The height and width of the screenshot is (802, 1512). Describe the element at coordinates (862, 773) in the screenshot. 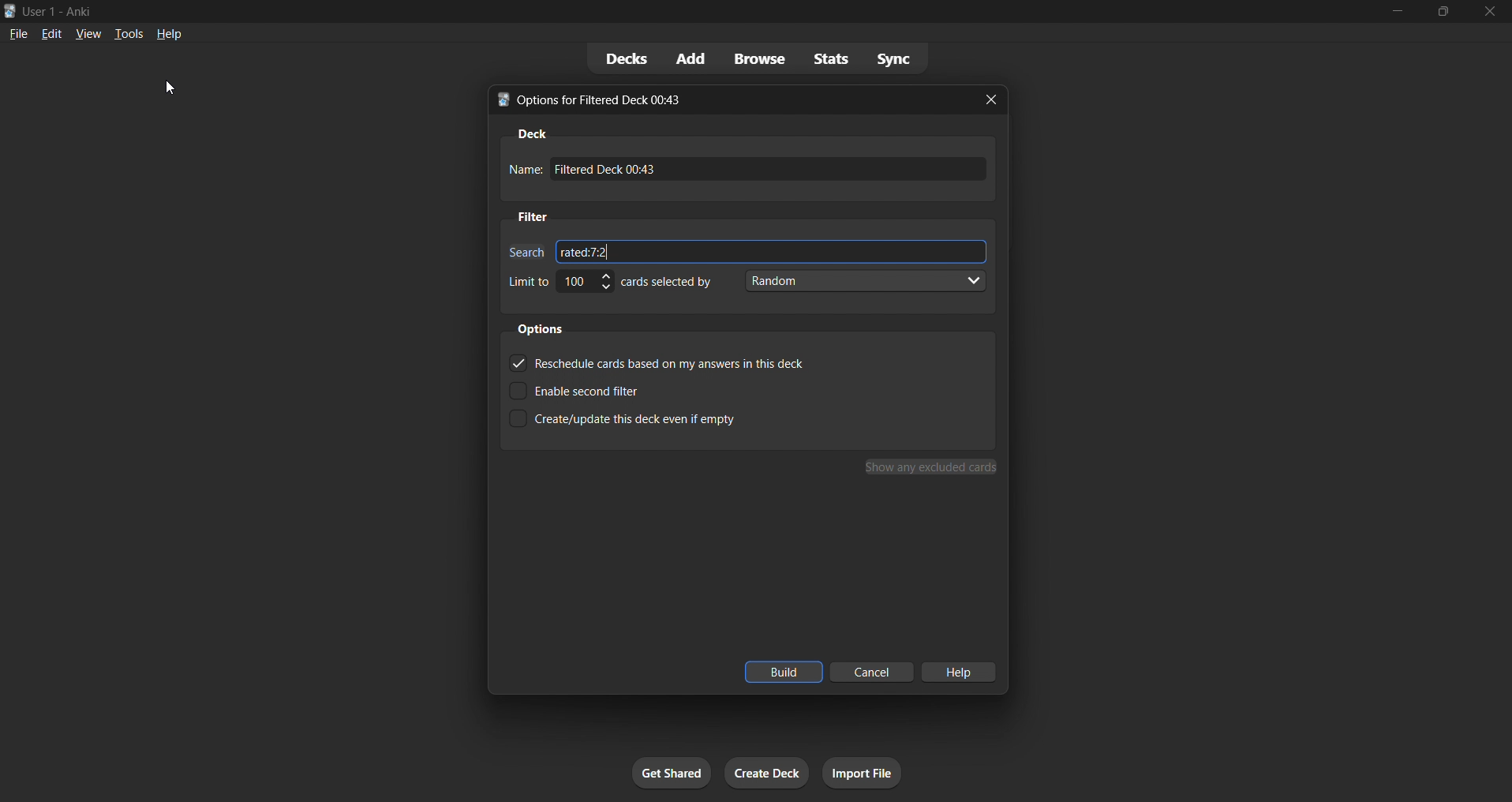

I see `import file` at that location.